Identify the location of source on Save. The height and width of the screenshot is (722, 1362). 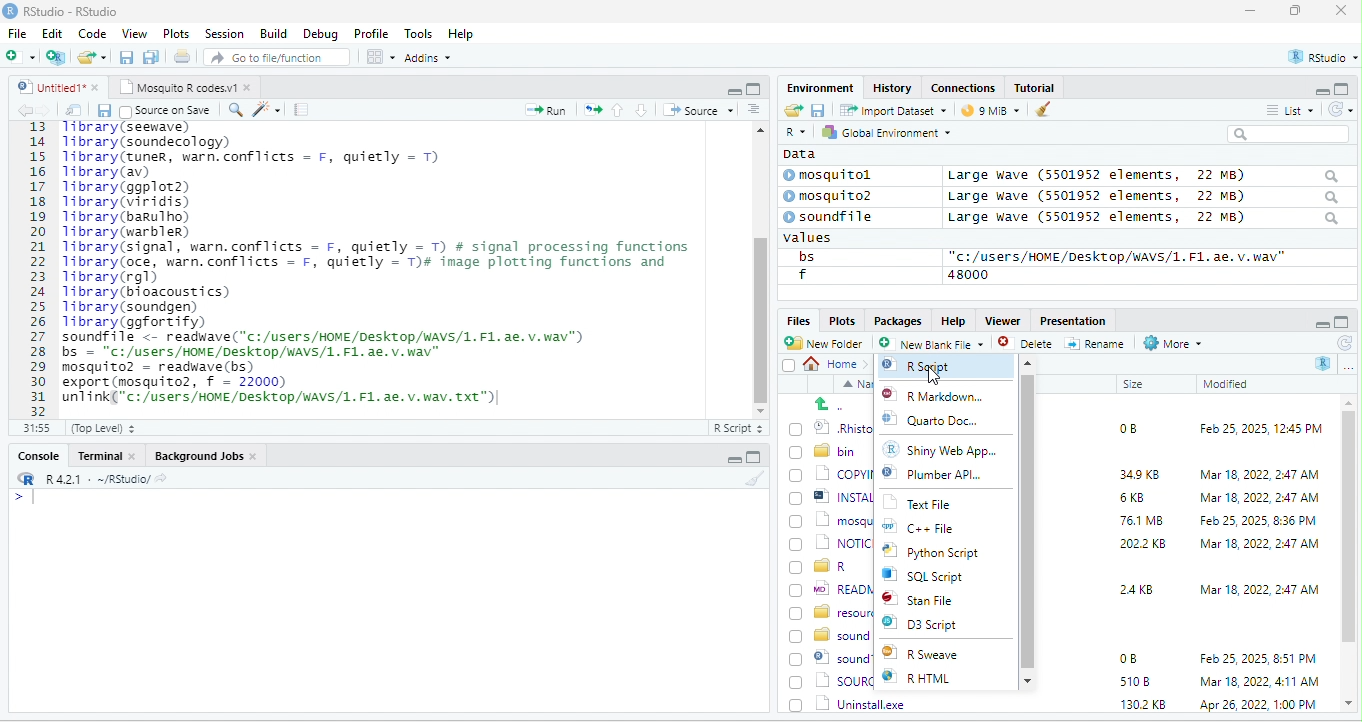
(167, 112).